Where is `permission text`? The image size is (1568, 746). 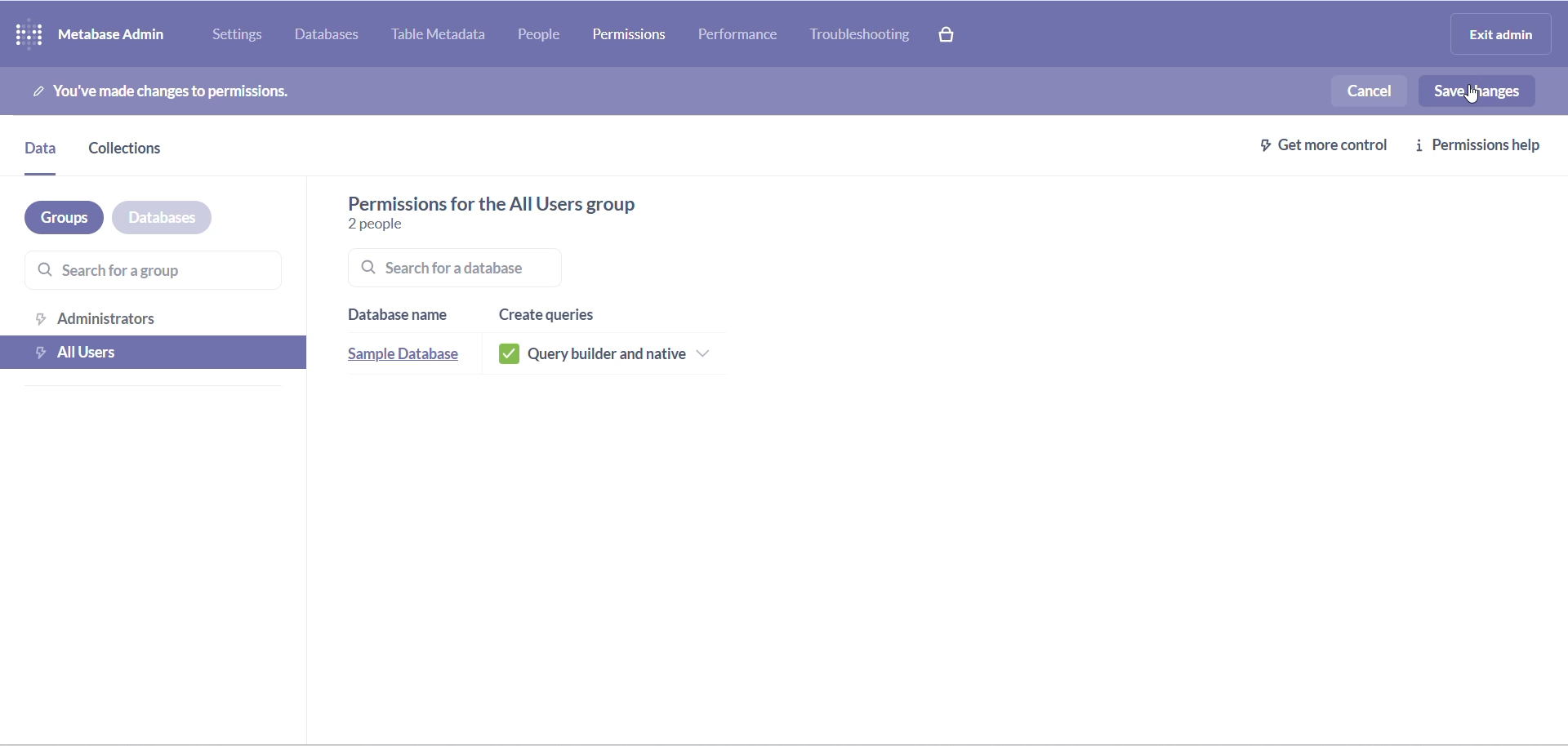 permission text is located at coordinates (194, 88).